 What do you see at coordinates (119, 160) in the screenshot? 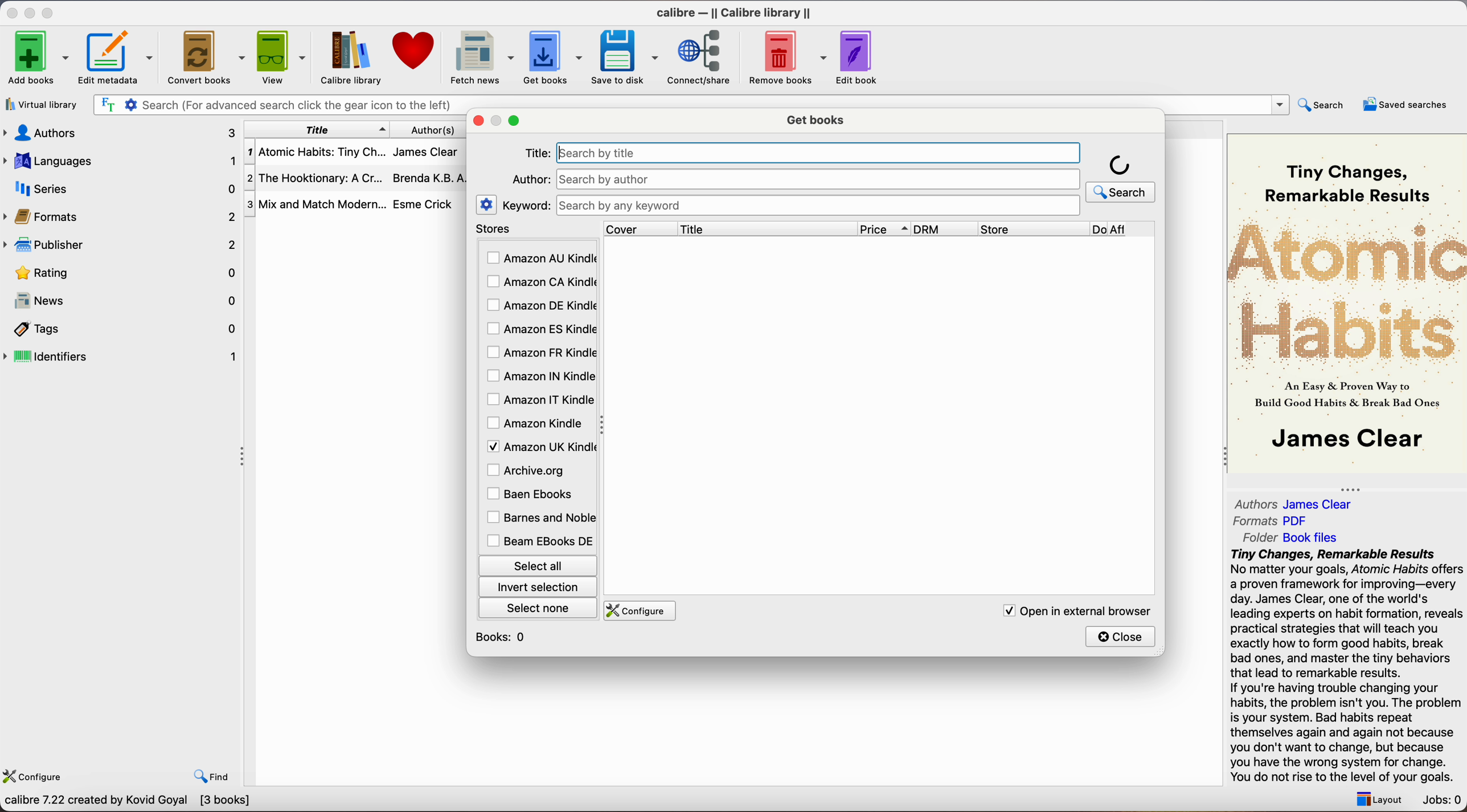
I see `languages` at bounding box center [119, 160].